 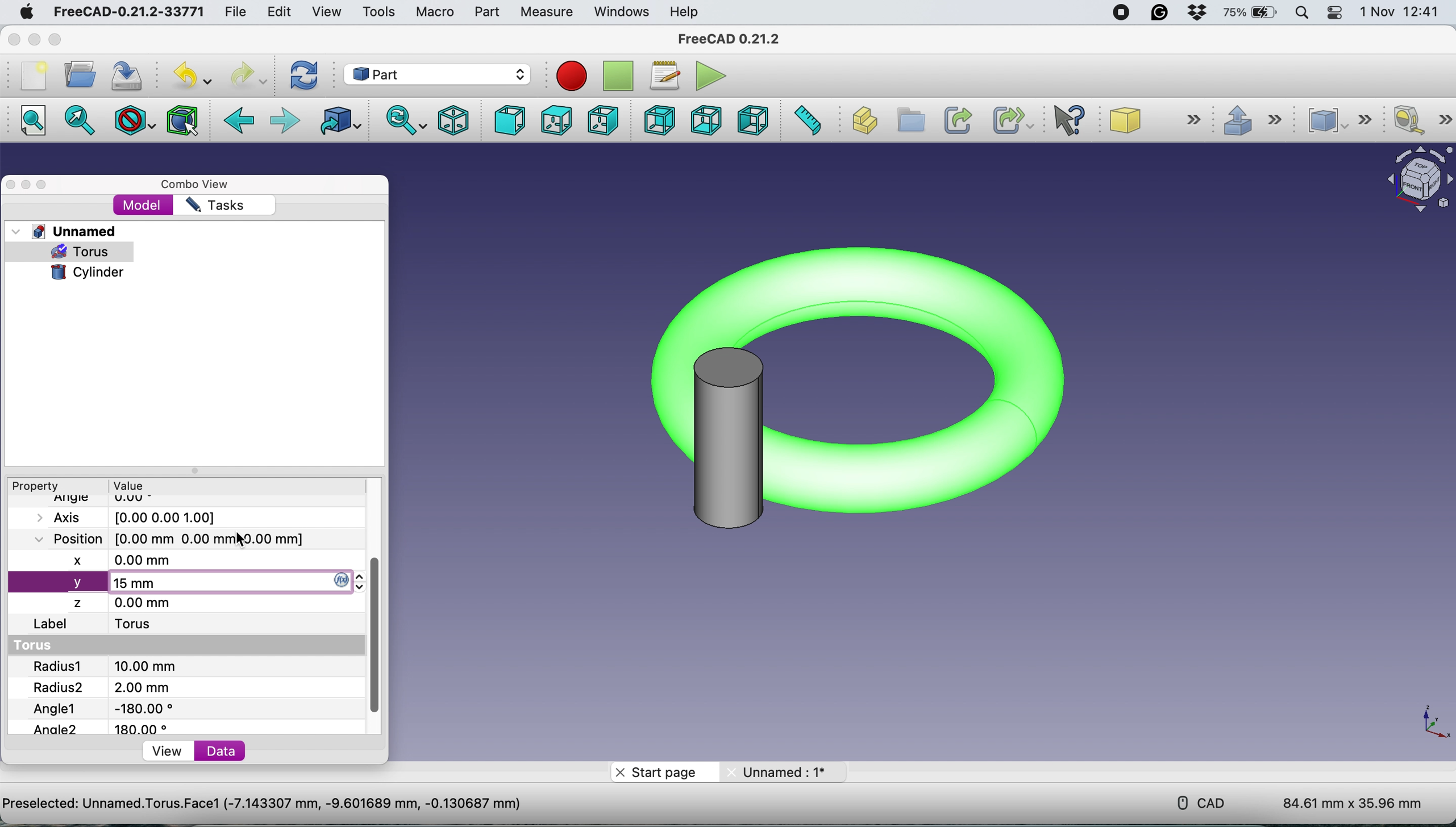 What do you see at coordinates (27, 14) in the screenshot?
I see `system logo` at bounding box center [27, 14].